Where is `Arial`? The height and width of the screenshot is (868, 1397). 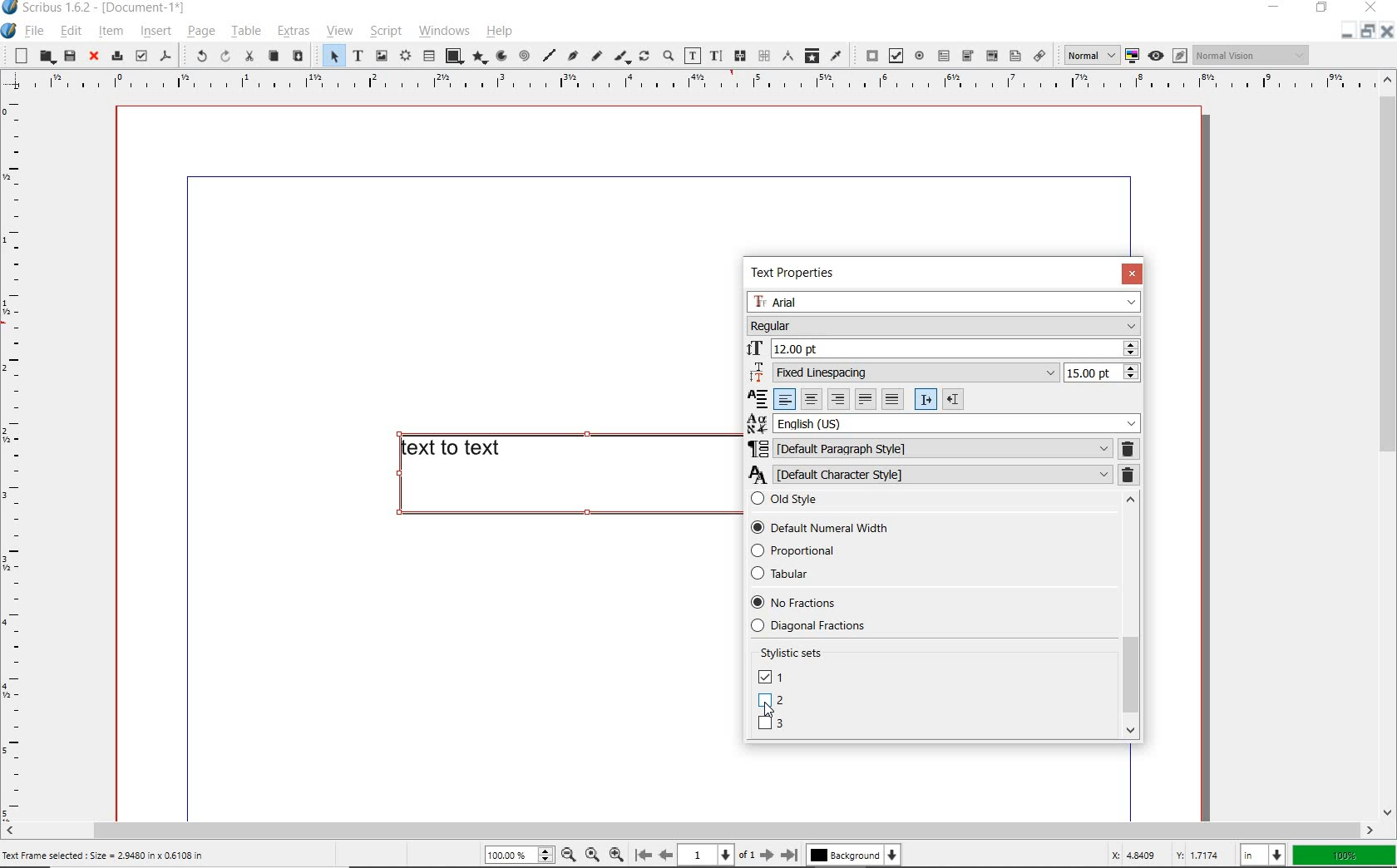
Arial is located at coordinates (942, 301).